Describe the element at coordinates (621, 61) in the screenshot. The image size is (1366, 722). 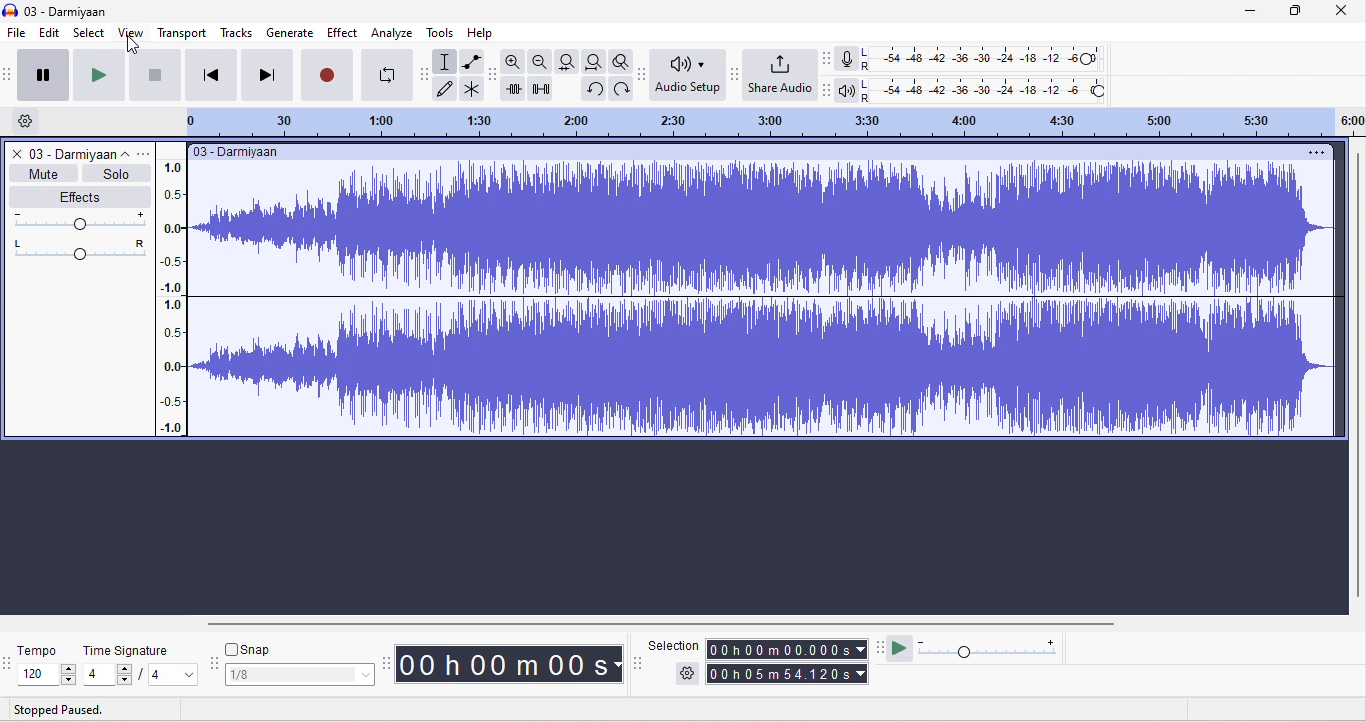
I see `toggle zoom` at that location.